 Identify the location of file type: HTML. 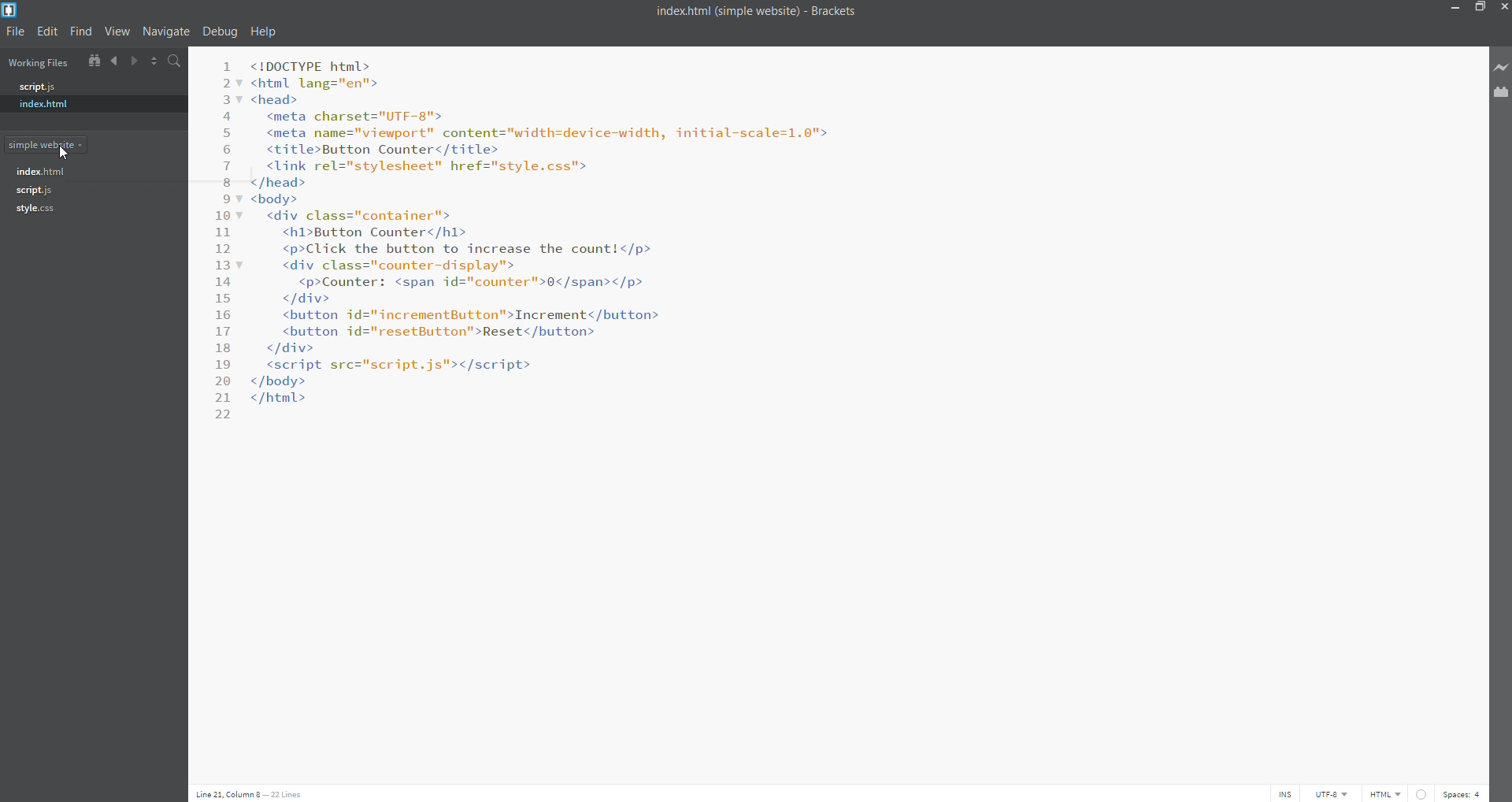
(1385, 793).